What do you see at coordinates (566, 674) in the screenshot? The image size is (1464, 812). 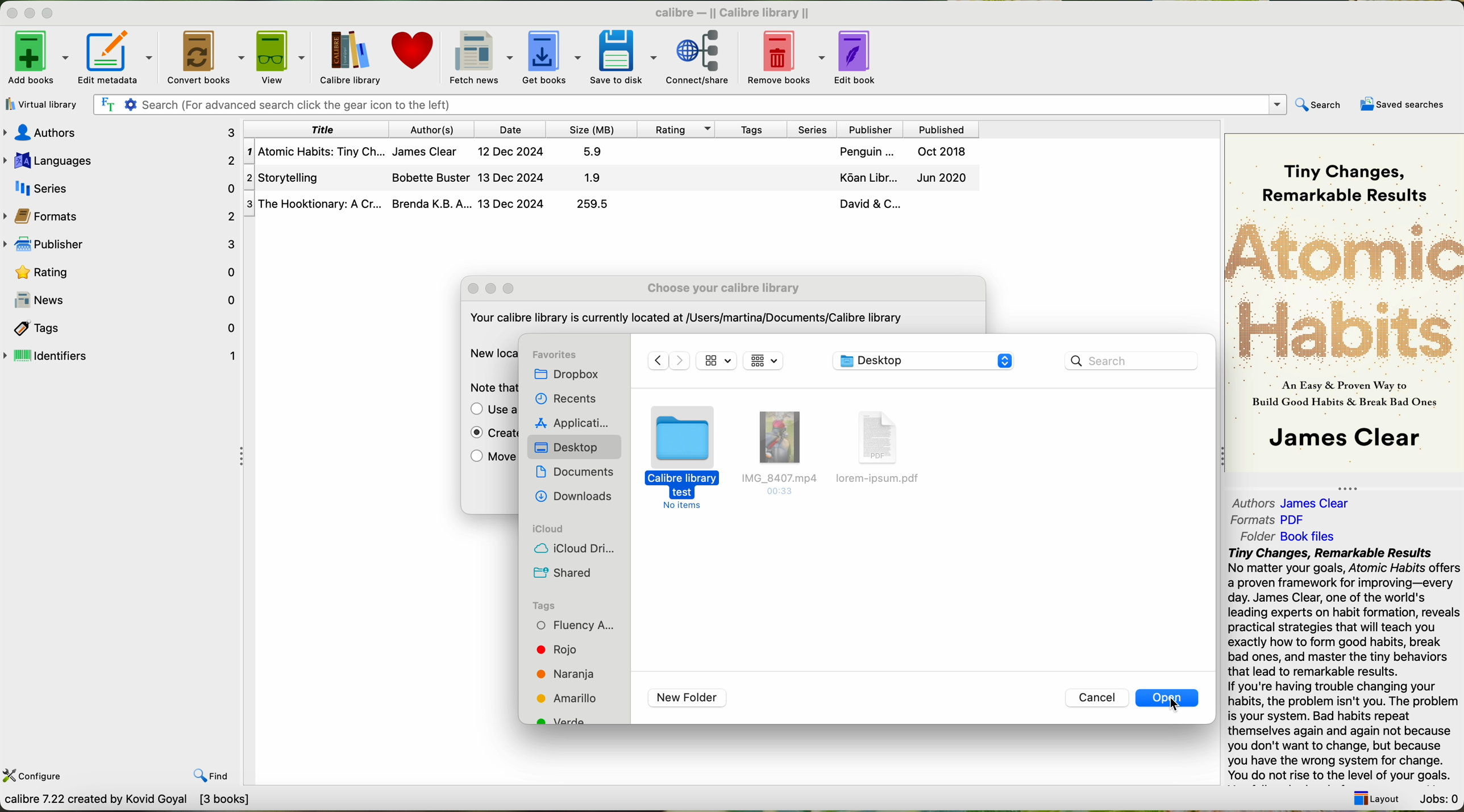 I see `orange tag` at bounding box center [566, 674].